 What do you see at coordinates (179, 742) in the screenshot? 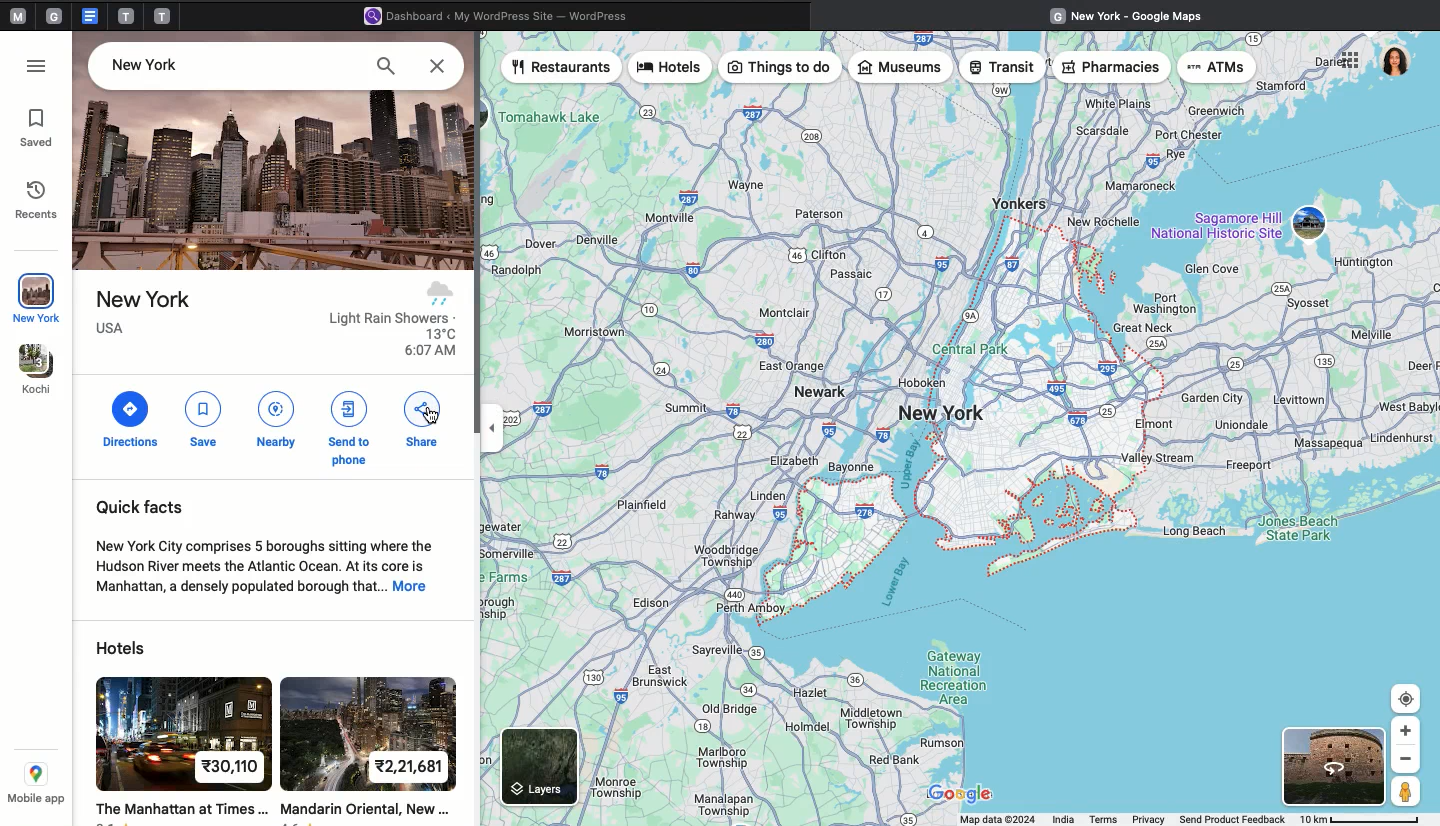
I see `hotel 1` at bounding box center [179, 742].